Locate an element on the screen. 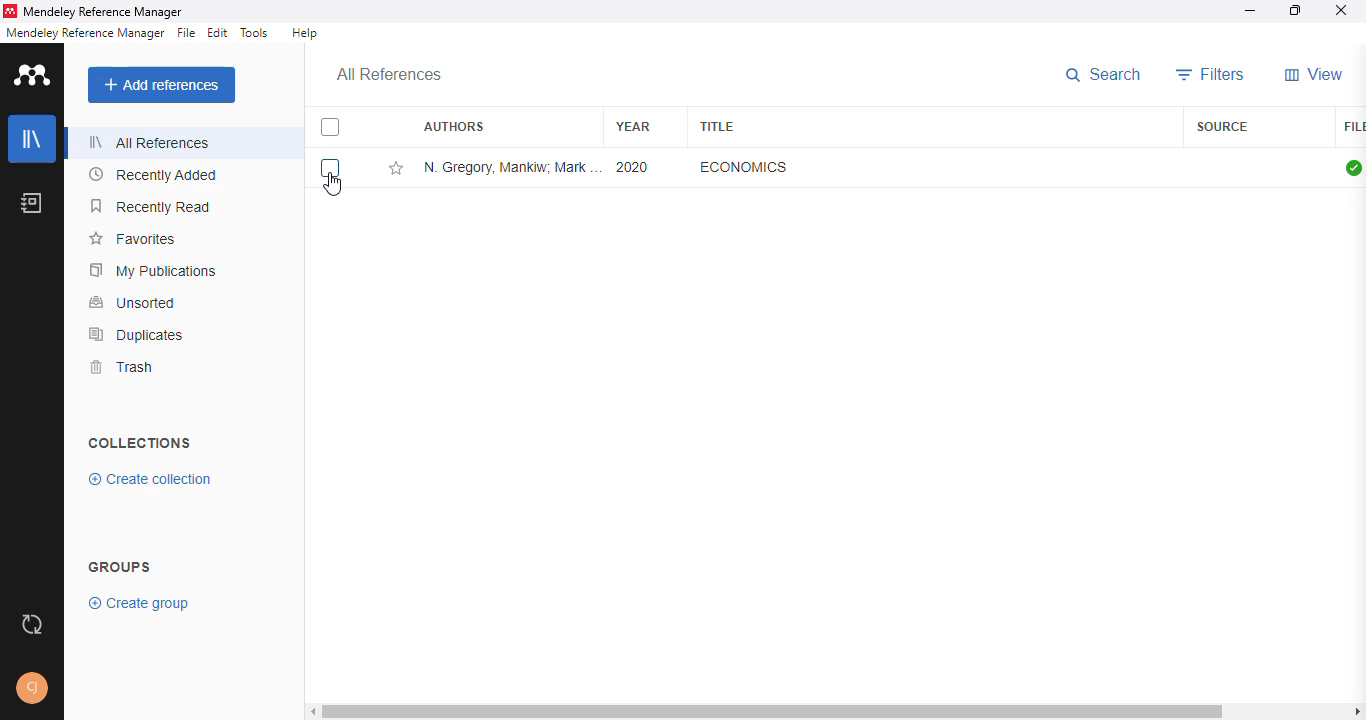  all files downloaded is located at coordinates (1353, 168).